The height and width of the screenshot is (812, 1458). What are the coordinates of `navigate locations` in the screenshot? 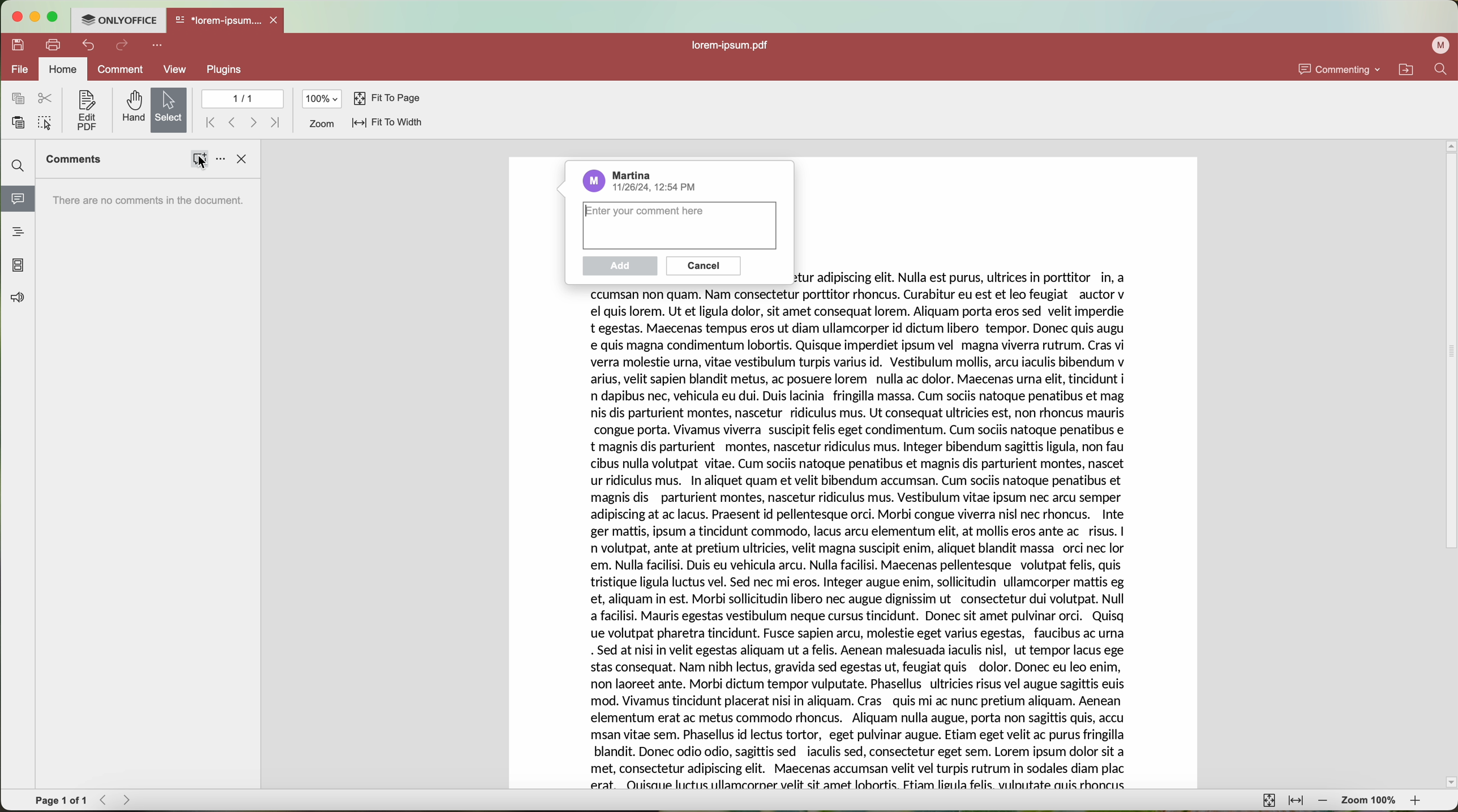 It's located at (1410, 69).